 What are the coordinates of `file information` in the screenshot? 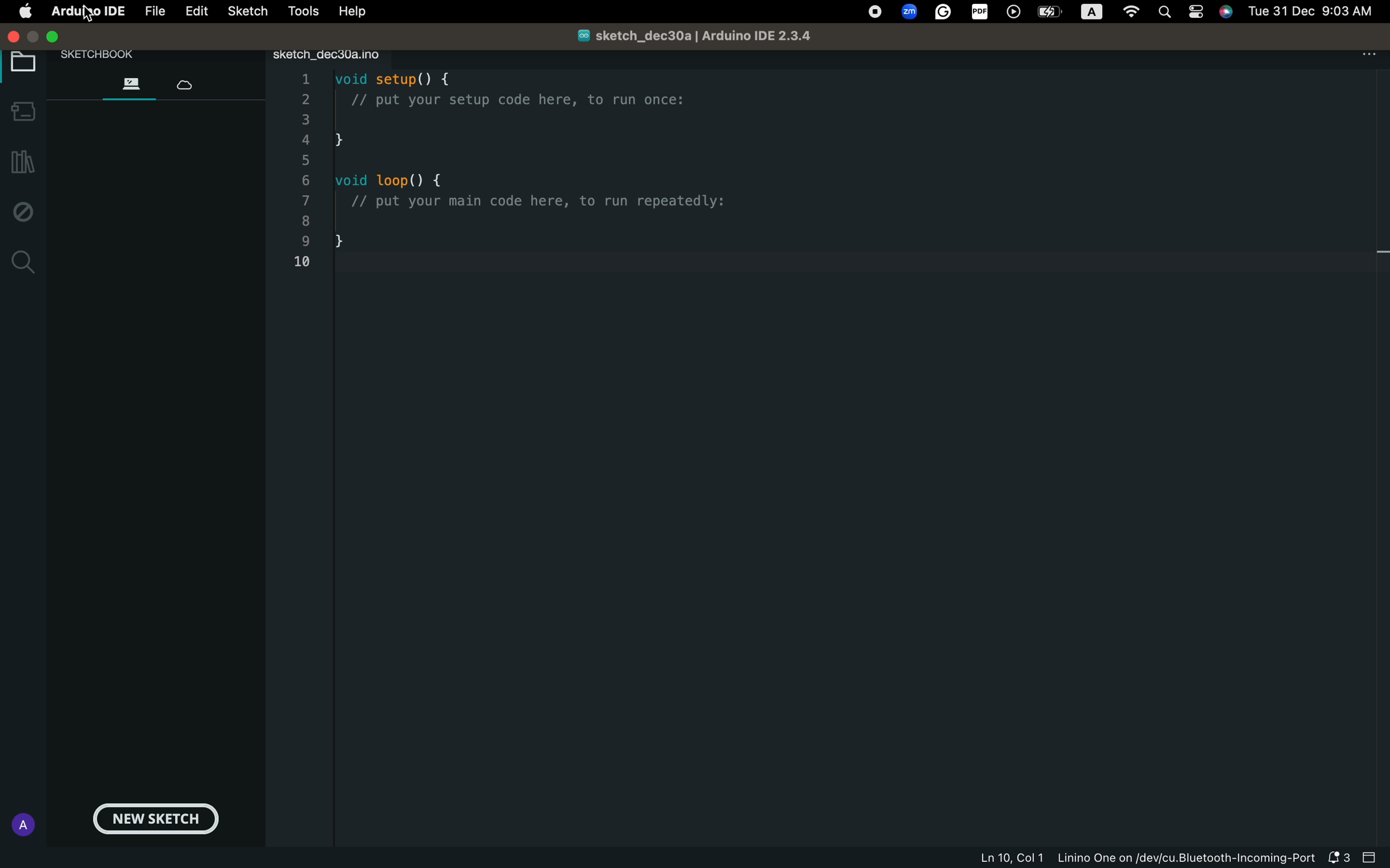 It's located at (1142, 858).